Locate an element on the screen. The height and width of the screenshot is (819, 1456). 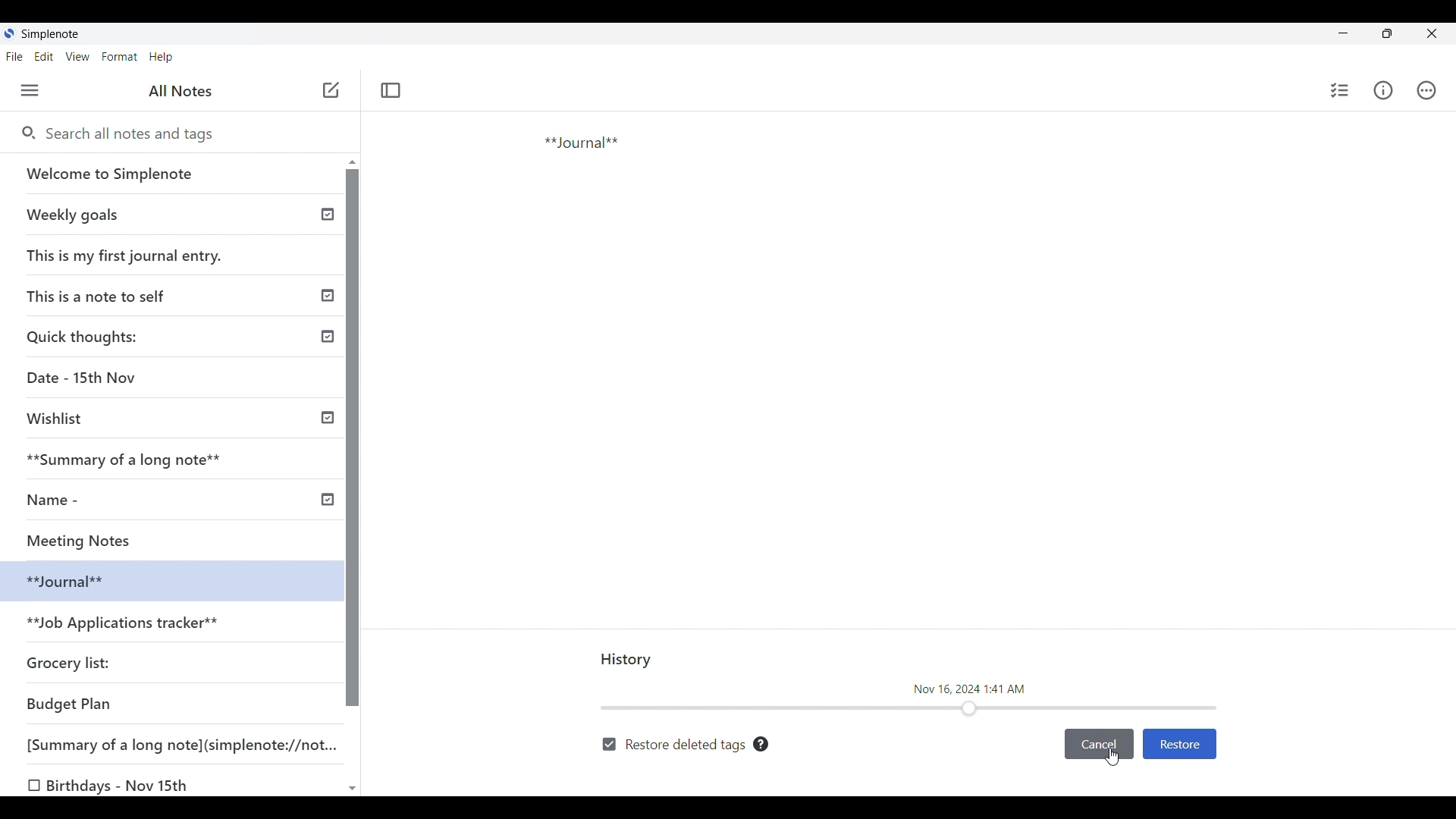
Format menu is located at coordinates (121, 57).